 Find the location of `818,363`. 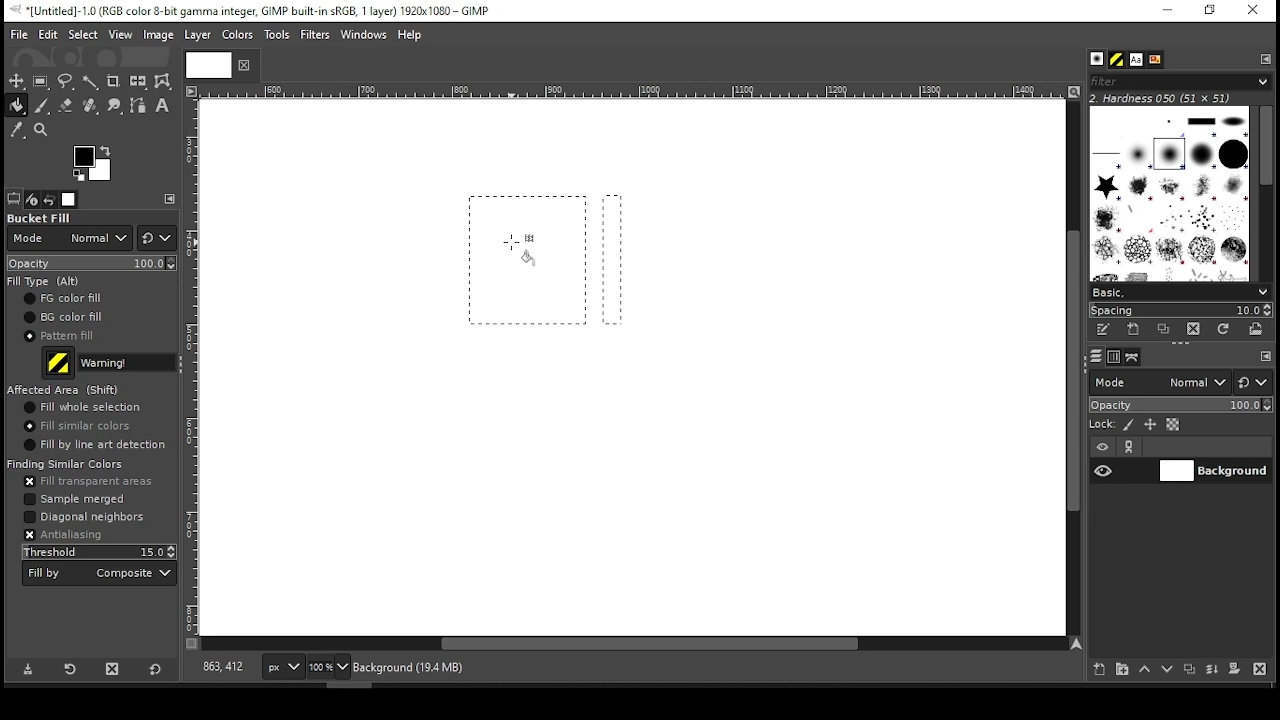

818,363 is located at coordinates (221, 667).